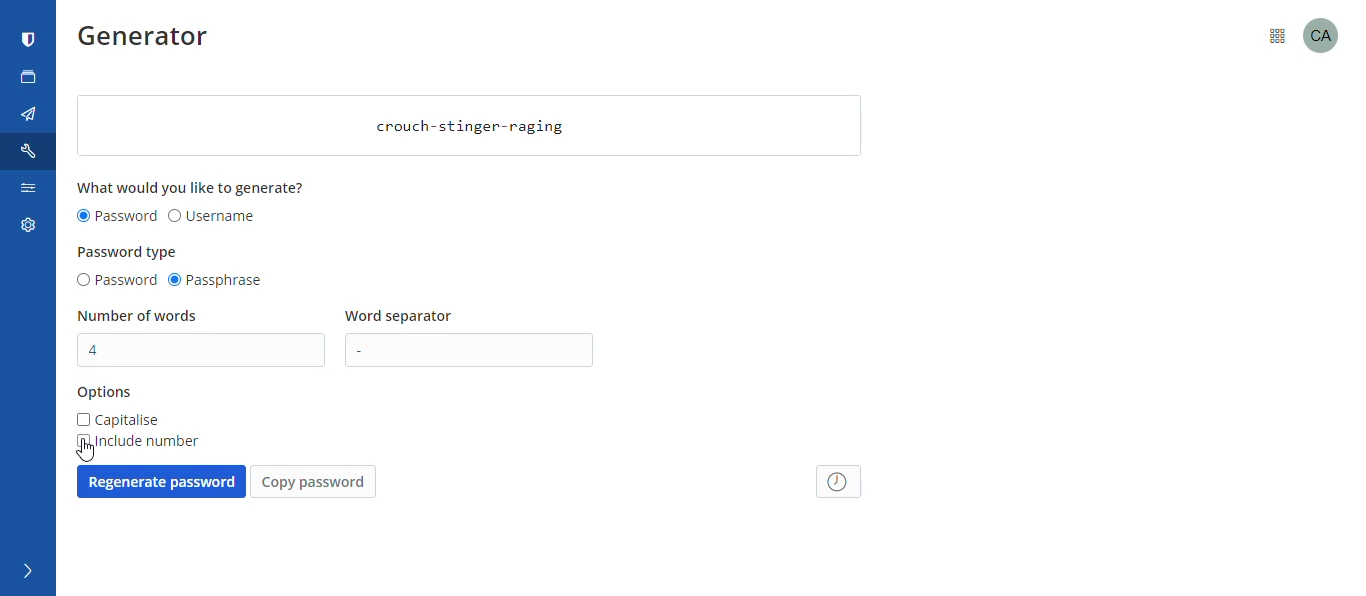 Image resolution: width=1366 pixels, height=596 pixels. I want to click on cursor, so click(87, 453).